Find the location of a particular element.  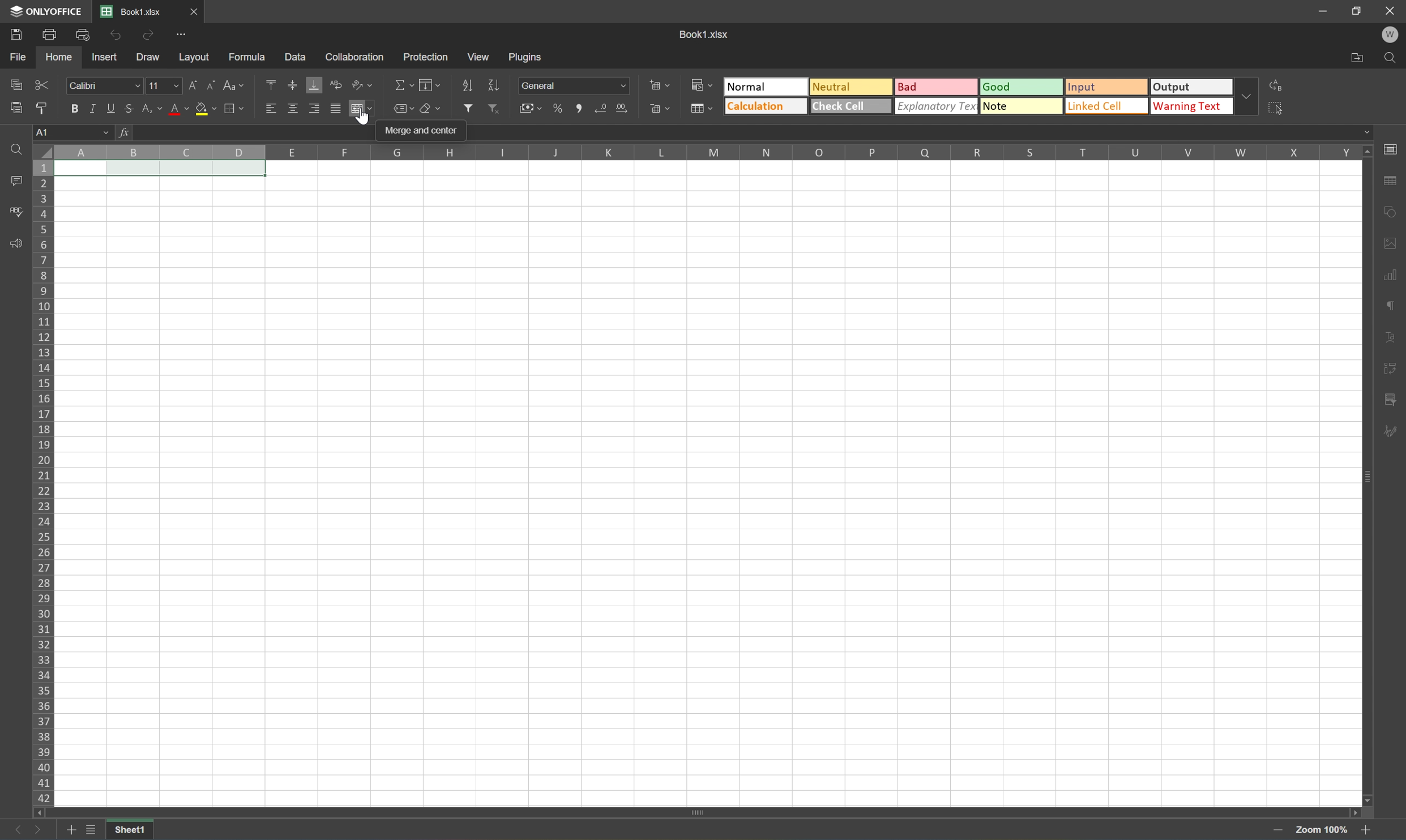

Scroll down is located at coordinates (1369, 800).